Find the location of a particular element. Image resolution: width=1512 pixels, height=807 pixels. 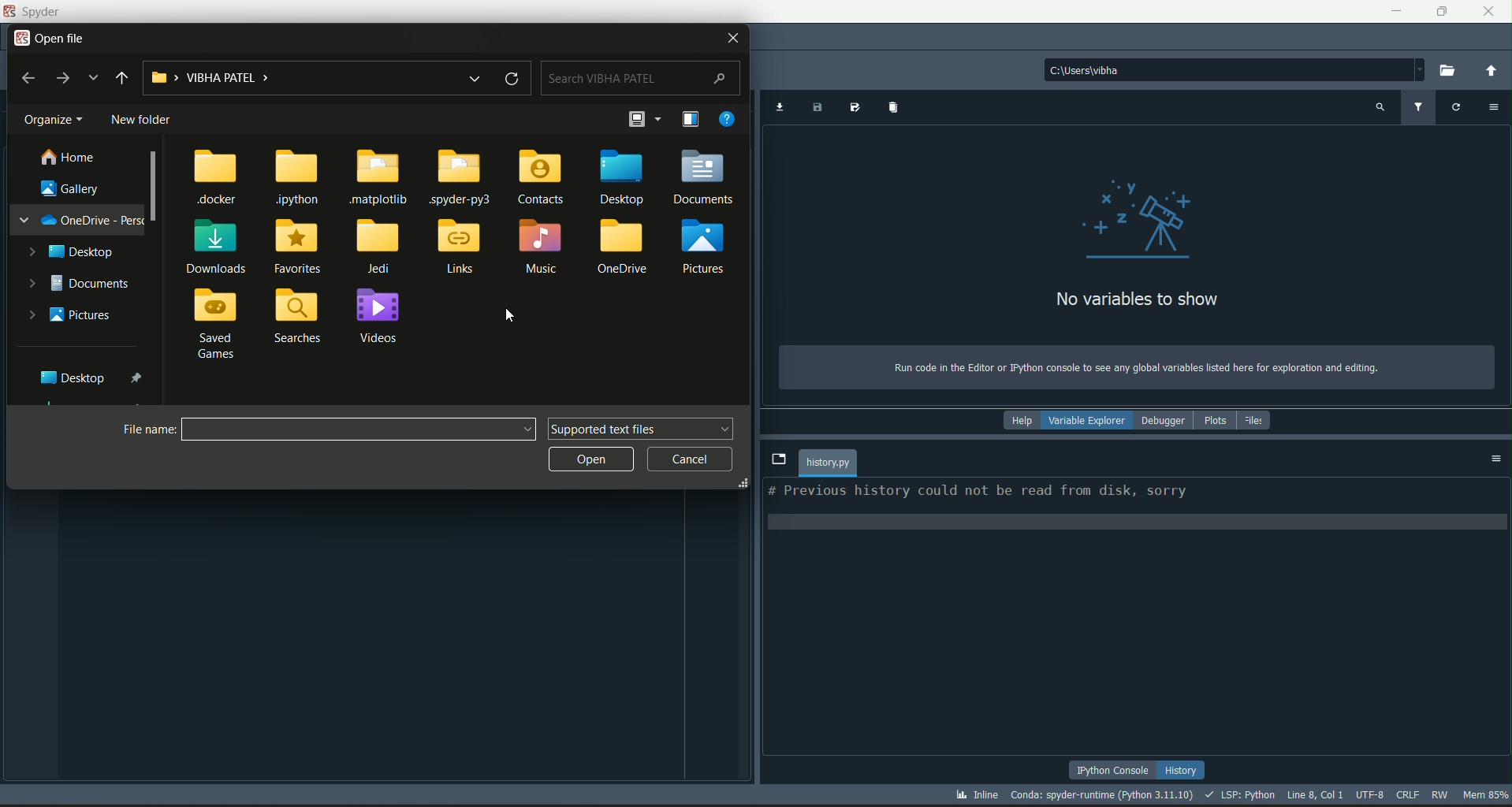

change your view is located at coordinates (636, 119).